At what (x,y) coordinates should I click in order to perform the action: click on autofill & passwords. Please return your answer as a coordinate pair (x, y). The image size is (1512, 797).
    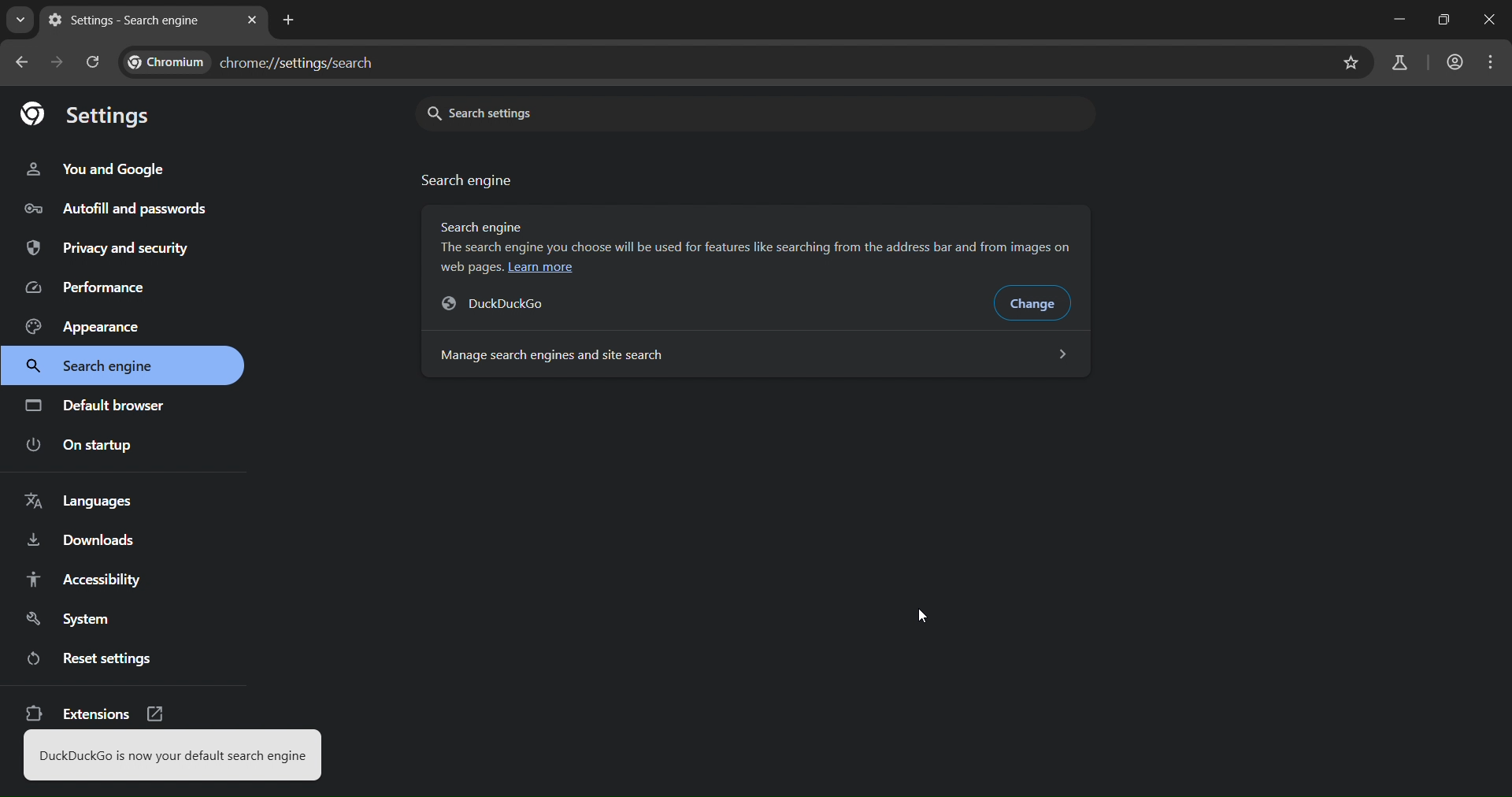
    Looking at the image, I should click on (113, 207).